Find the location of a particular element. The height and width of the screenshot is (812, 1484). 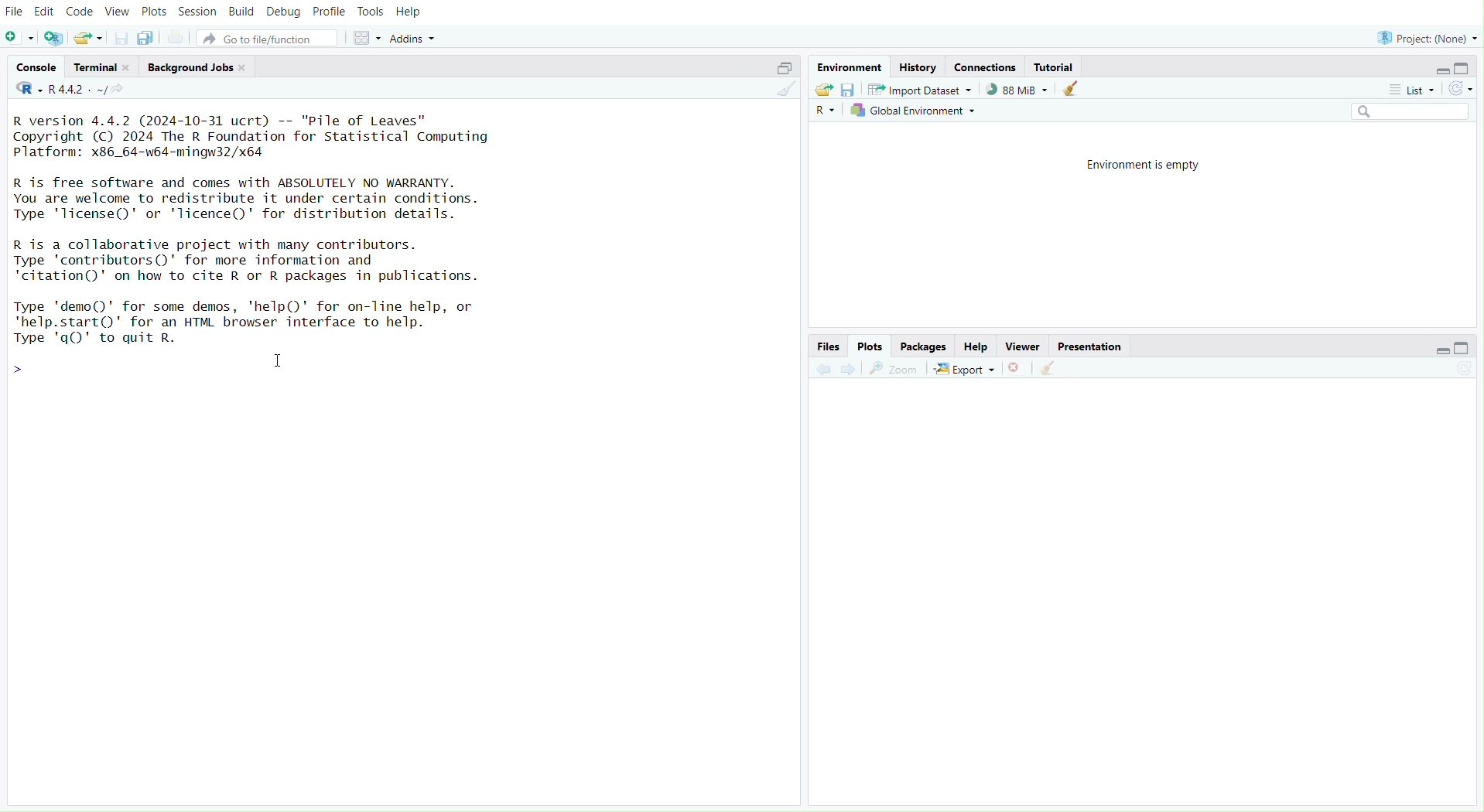

Background Jobs is located at coordinates (194, 67).